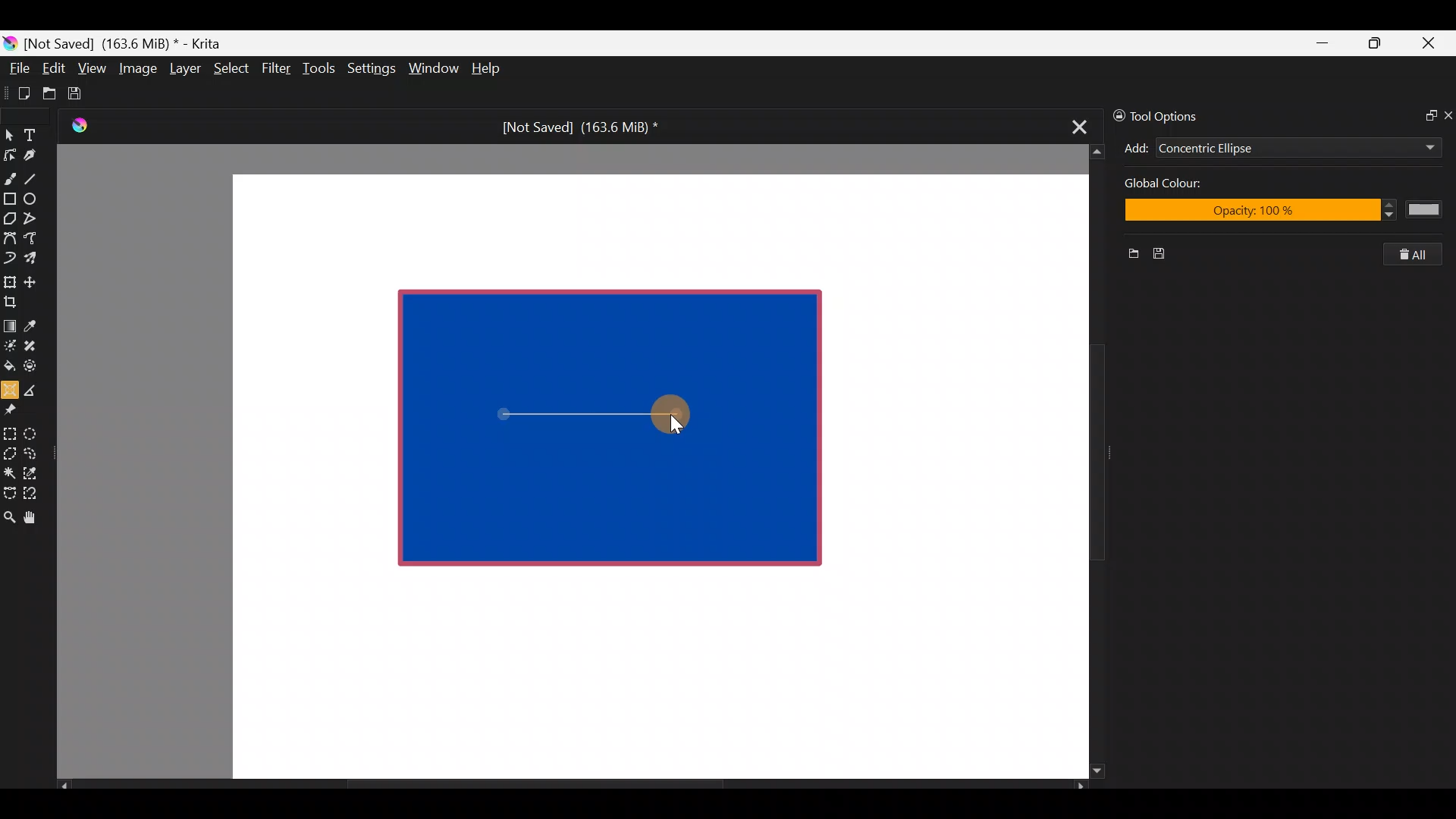 This screenshot has width=1456, height=819. Describe the element at coordinates (9, 136) in the screenshot. I see `Select shapes tool` at that location.